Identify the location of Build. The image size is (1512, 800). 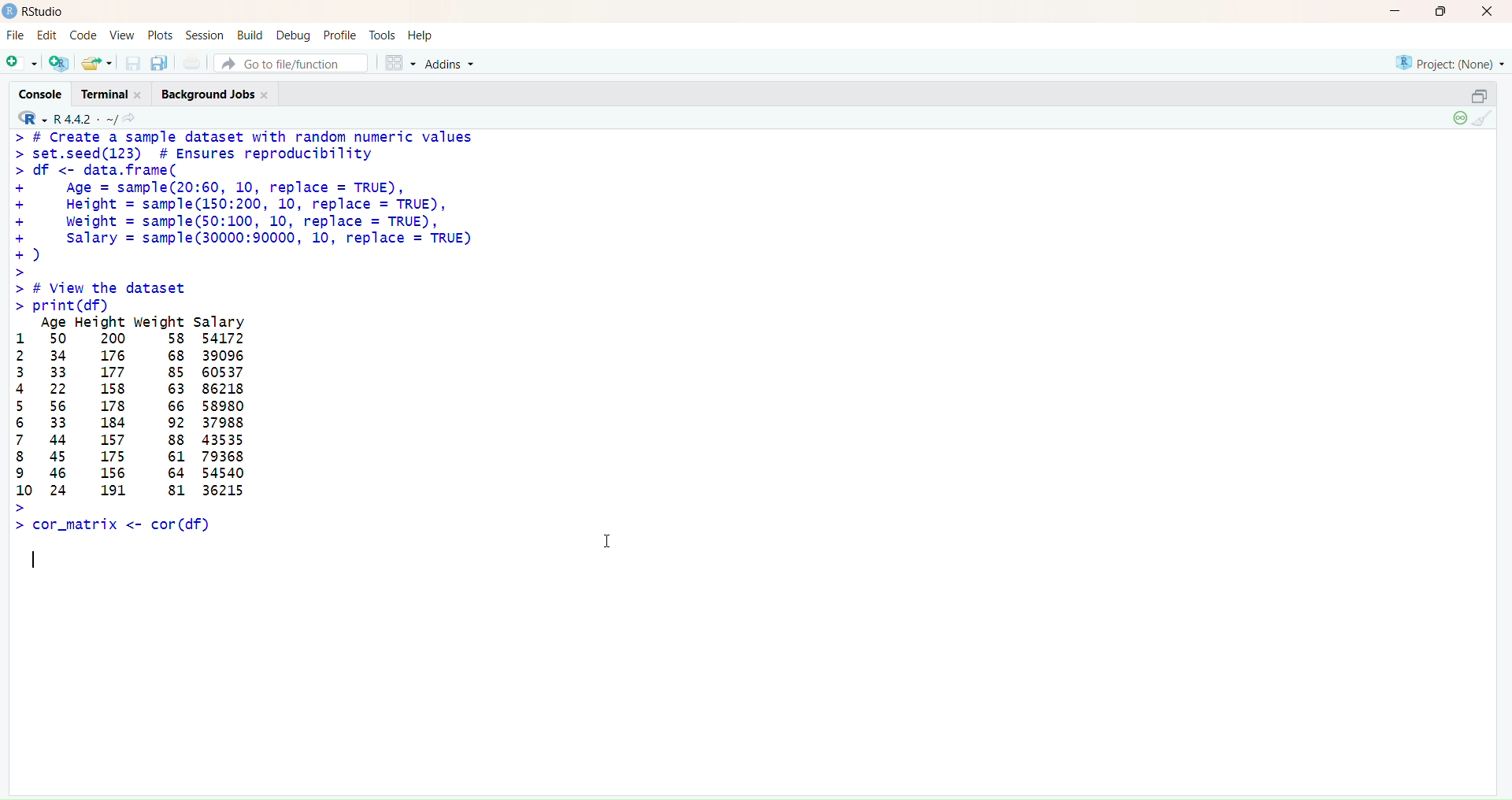
(250, 34).